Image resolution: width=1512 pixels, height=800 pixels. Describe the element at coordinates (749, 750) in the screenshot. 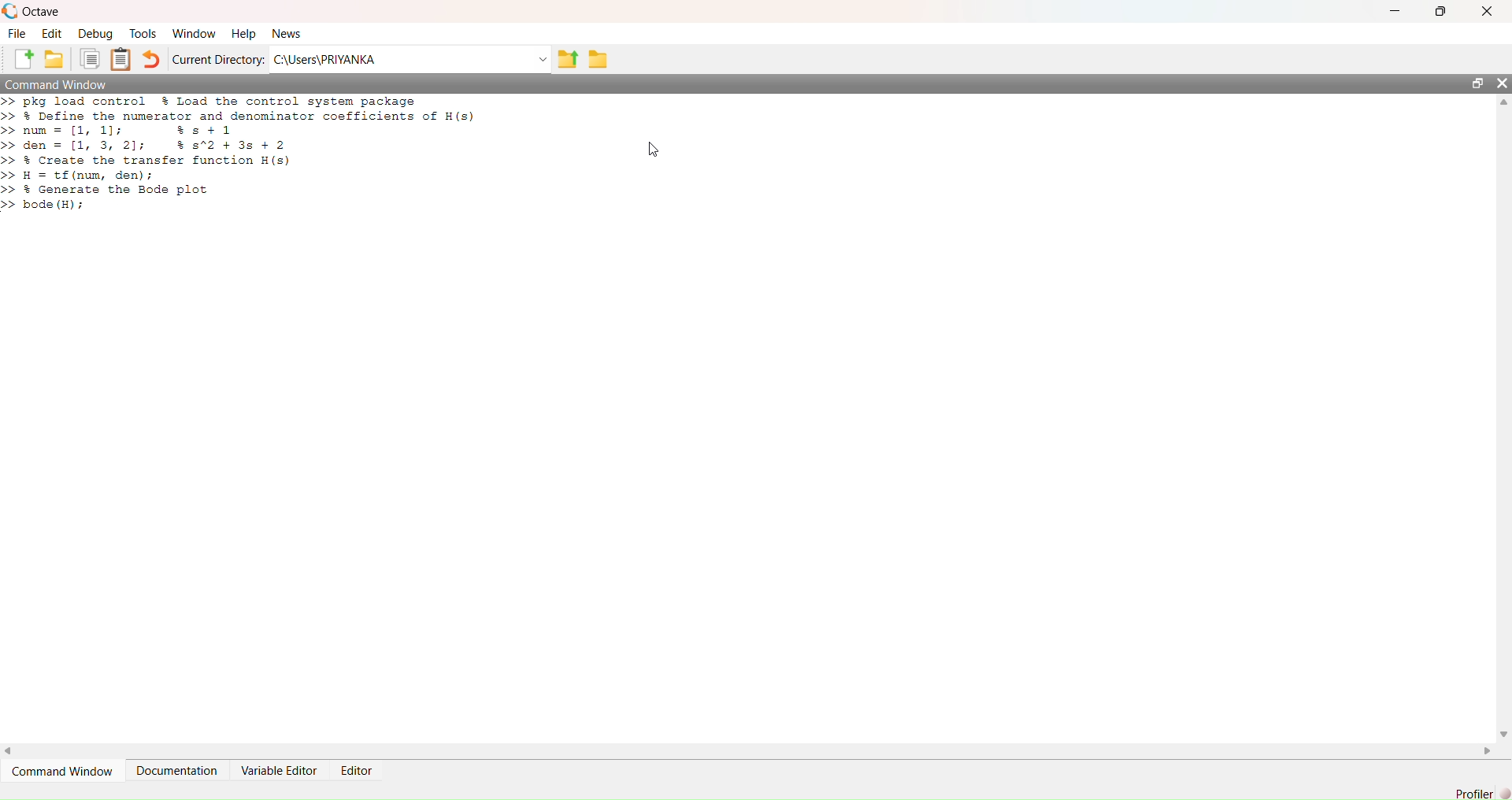

I see `horizontal scroll bar` at that location.